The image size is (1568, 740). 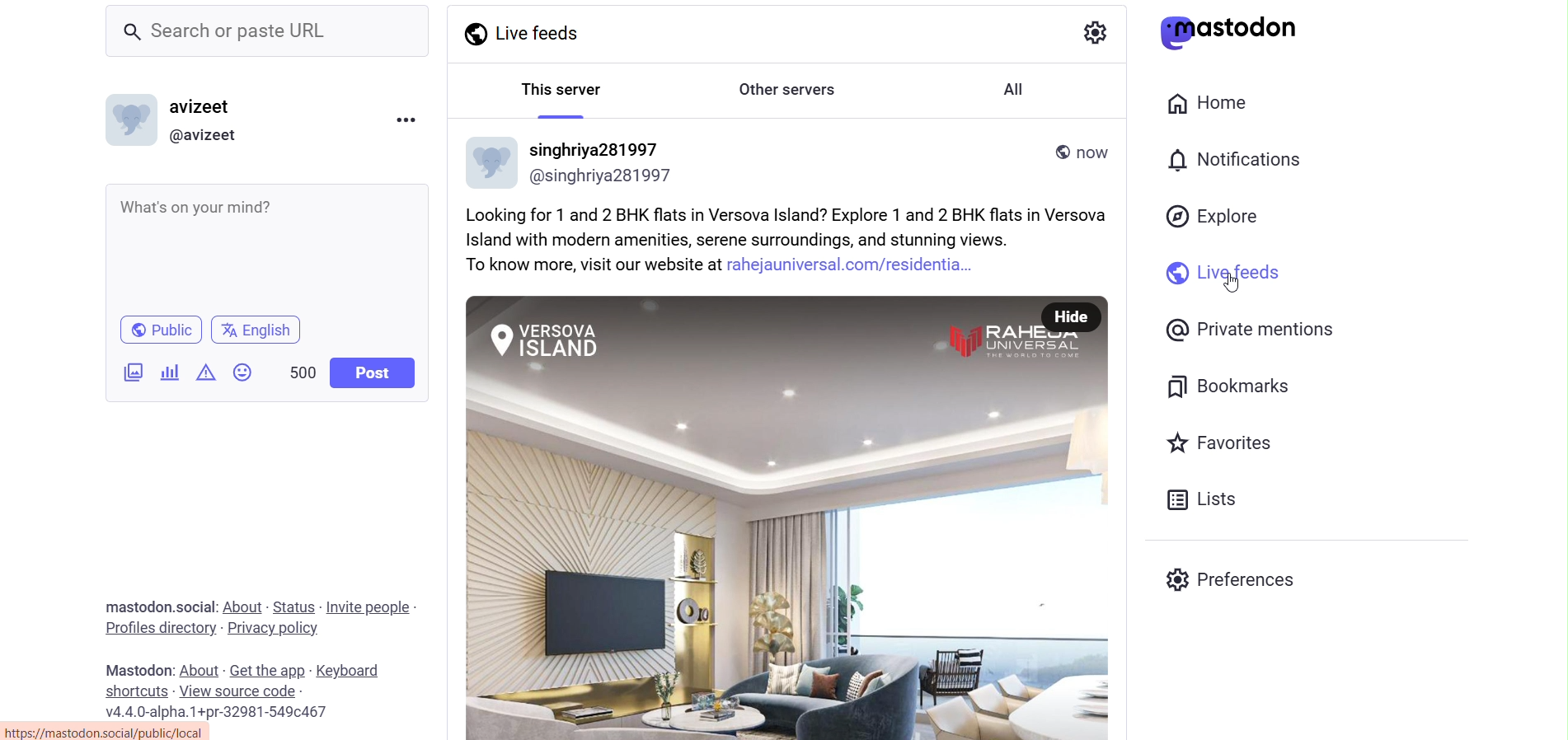 What do you see at coordinates (376, 372) in the screenshot?
I see `post` at bounding box center [376, 372].